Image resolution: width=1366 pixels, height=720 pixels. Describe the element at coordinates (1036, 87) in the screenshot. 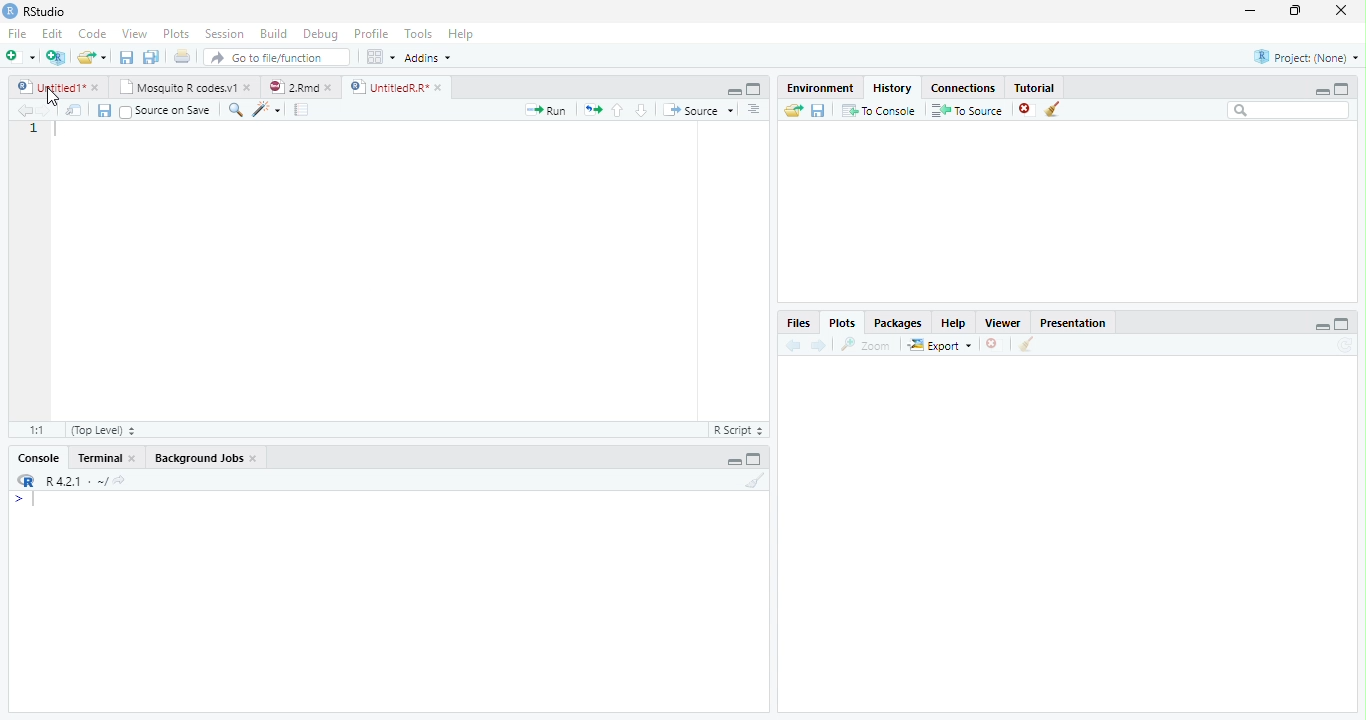

I see `Tutorial` at that location.